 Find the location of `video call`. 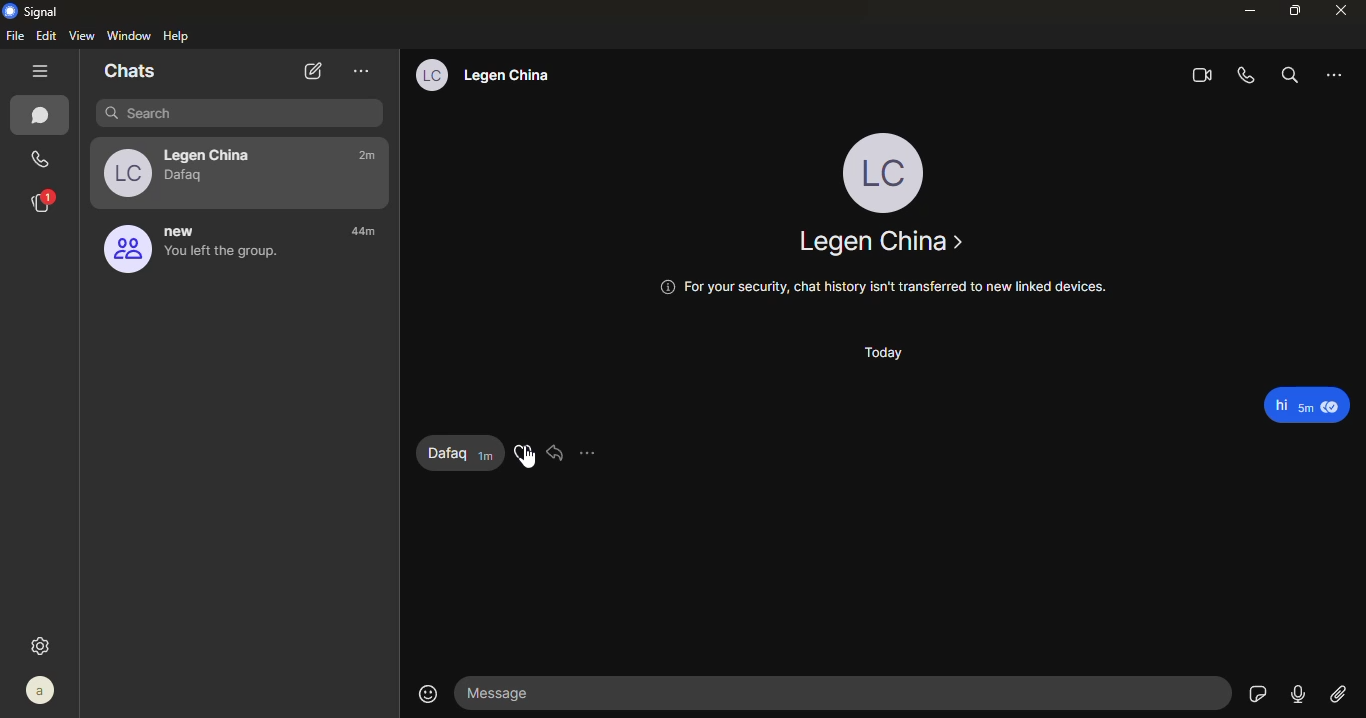

video call is located at coordinates (1199, 77).